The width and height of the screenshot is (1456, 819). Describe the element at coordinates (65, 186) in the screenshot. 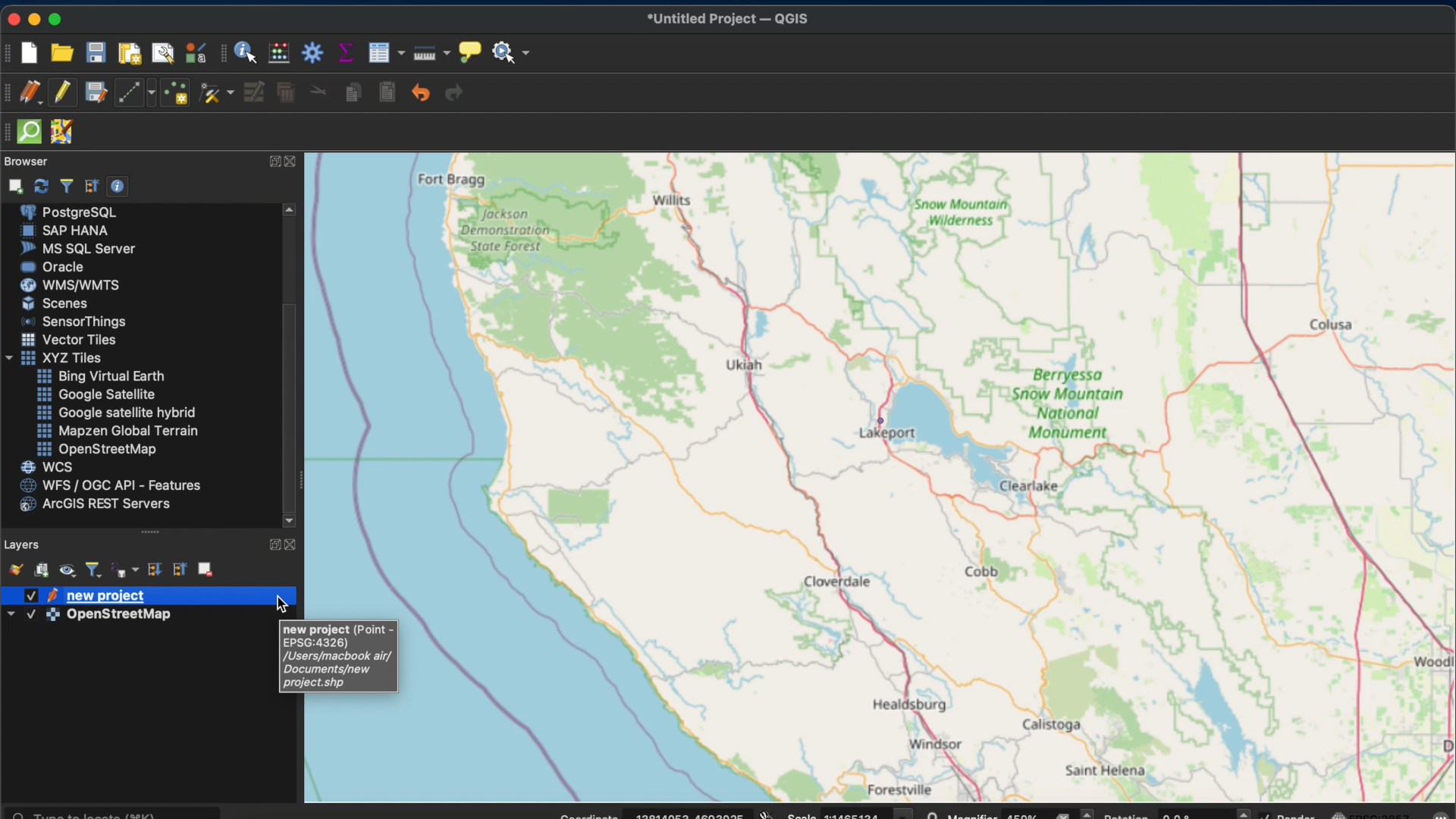

I see `filter browser` at that location.